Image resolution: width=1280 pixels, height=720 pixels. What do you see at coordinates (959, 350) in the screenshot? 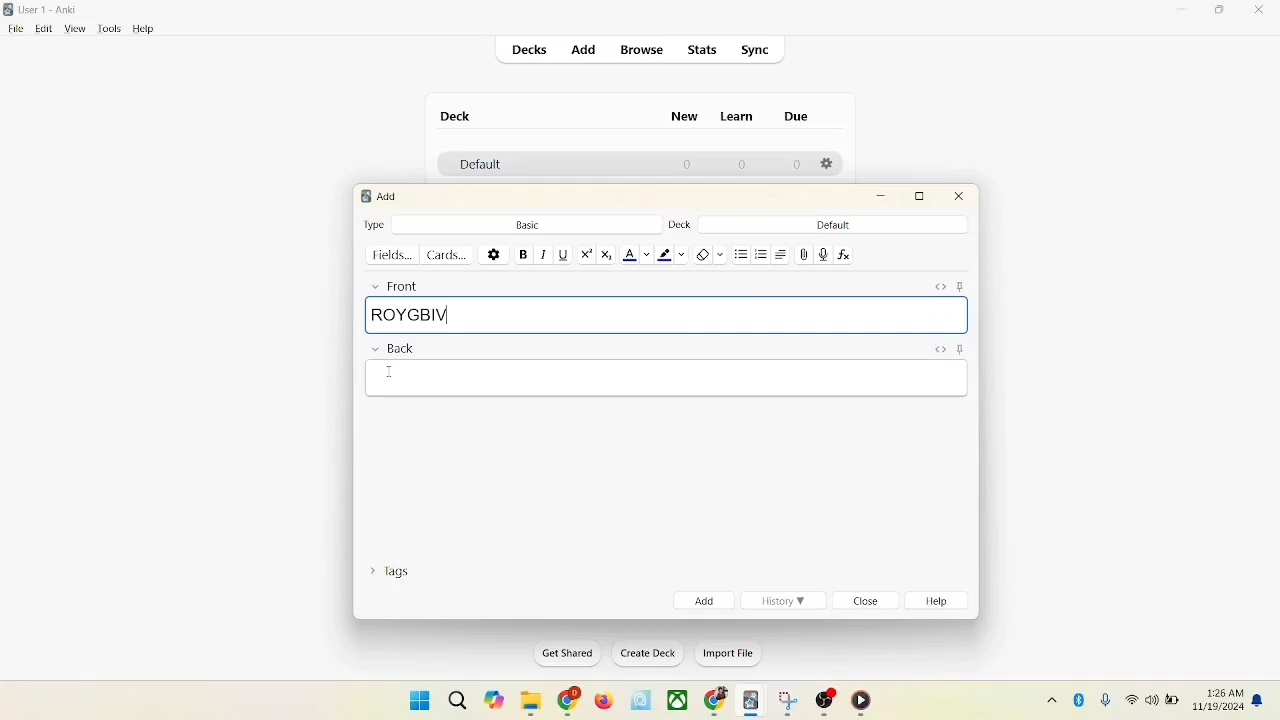
I see `sticky` at bounding box center [959, 350].